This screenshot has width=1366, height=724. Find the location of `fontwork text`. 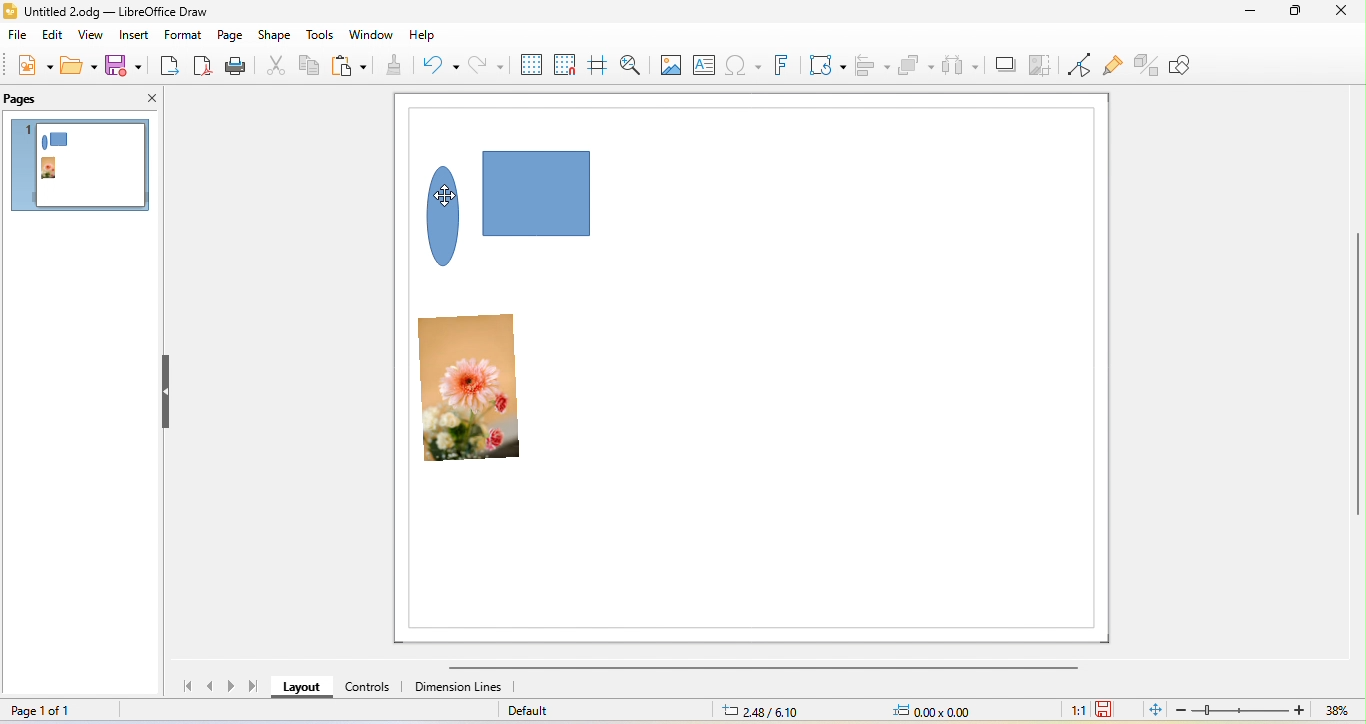

fontwork text is located at coordinates (788, 61).